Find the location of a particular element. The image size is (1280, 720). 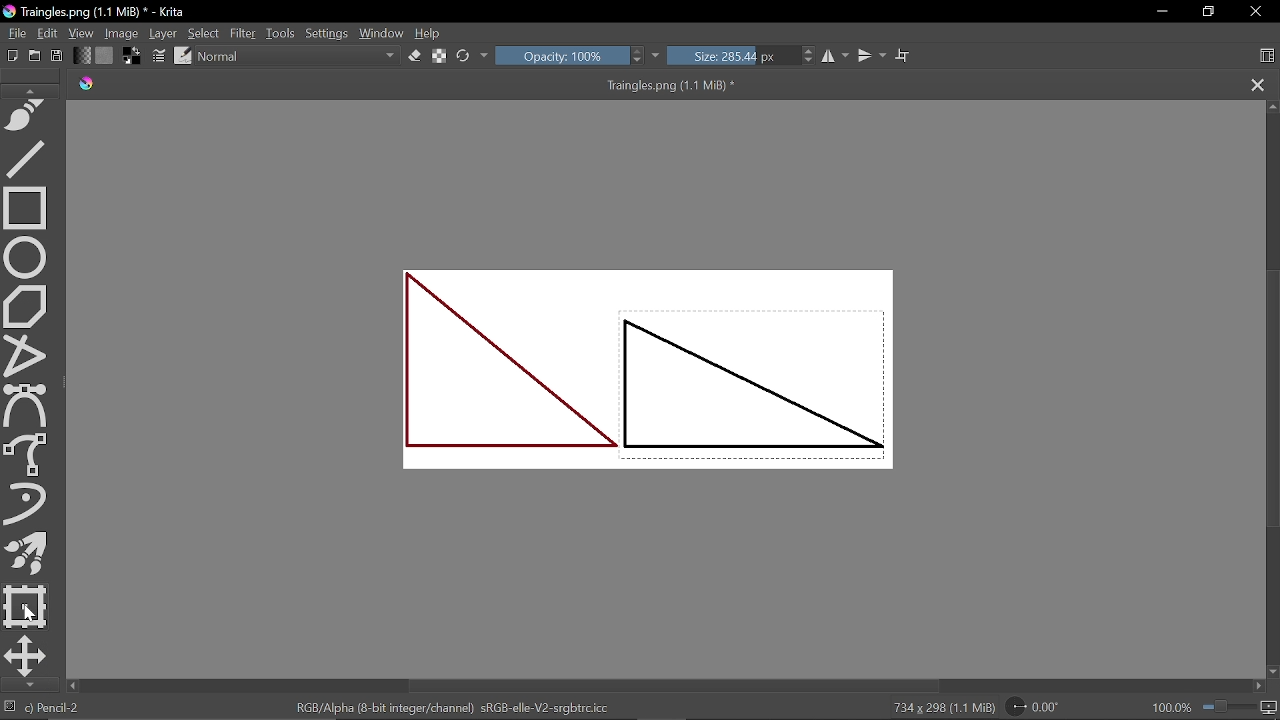

Eraser is located at coordinates (416, 56).